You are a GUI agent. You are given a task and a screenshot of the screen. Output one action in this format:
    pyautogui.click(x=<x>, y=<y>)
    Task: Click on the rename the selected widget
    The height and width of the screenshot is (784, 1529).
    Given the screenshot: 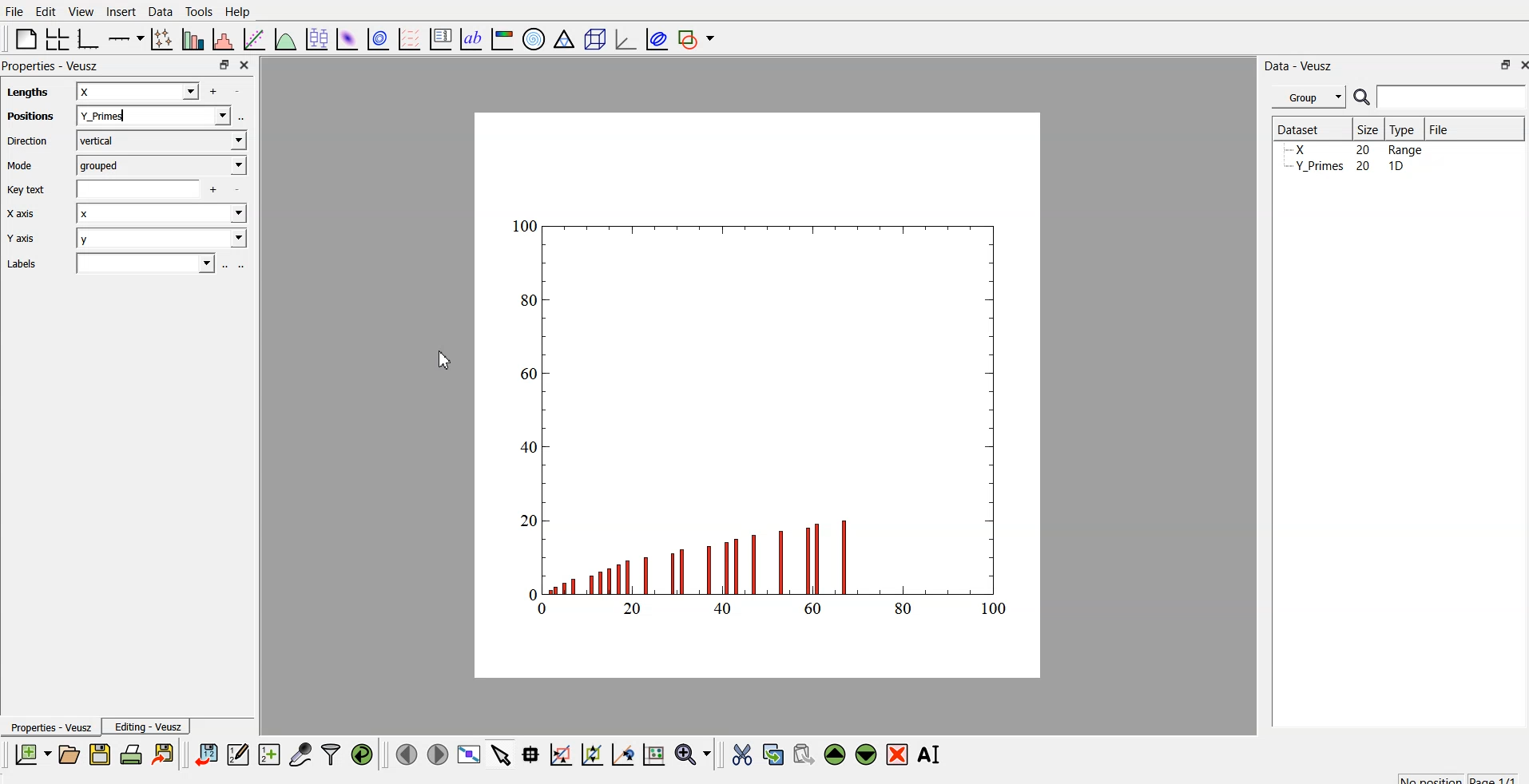 What is the action you would take?
    pyautogui.click(x=933, y=752)
    